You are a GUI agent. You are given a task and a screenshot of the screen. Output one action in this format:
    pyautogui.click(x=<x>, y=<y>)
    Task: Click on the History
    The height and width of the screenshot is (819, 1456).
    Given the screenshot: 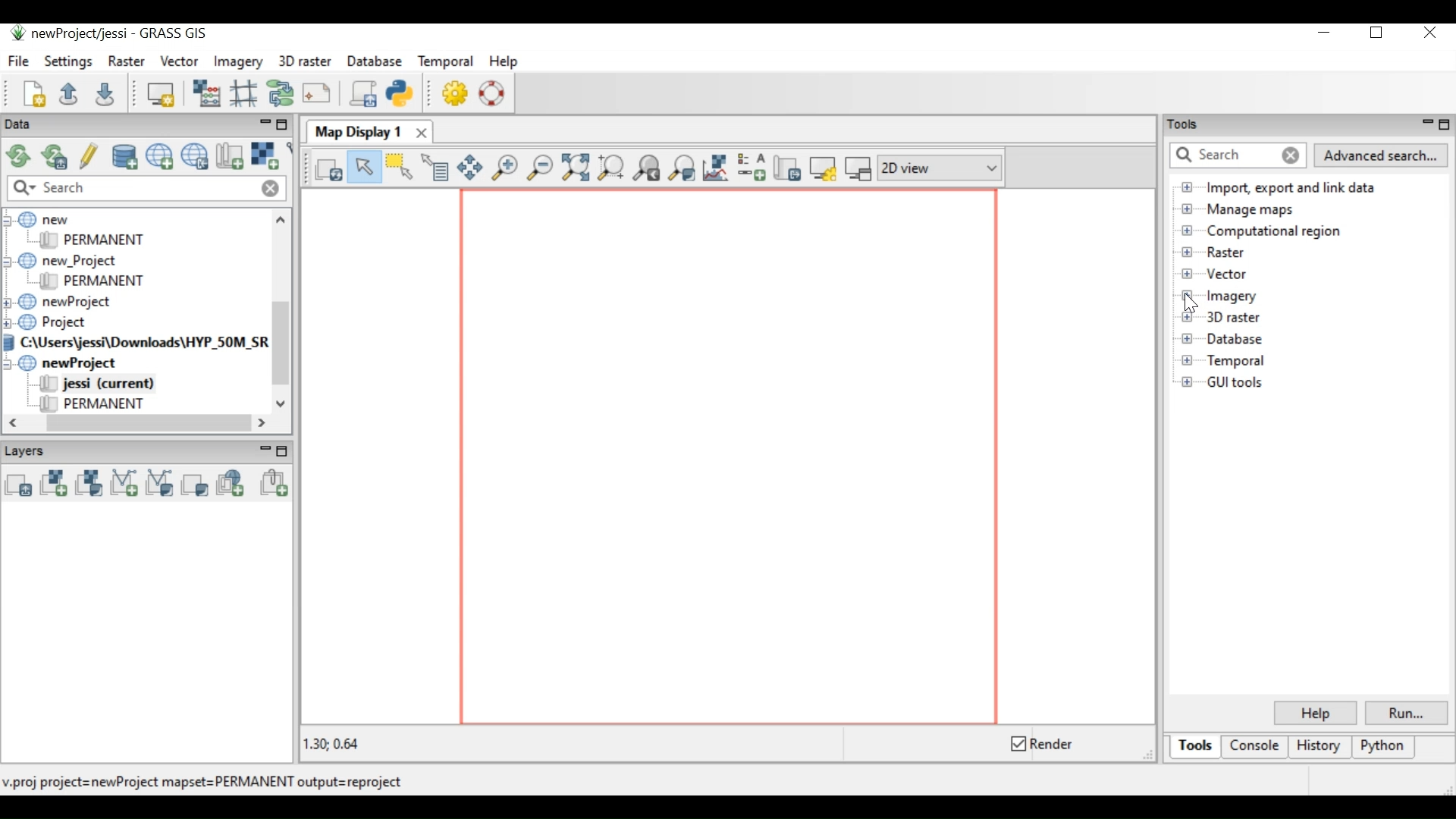 What is the action you would take?
    pyautogui.click(x=1318, y=748)
    